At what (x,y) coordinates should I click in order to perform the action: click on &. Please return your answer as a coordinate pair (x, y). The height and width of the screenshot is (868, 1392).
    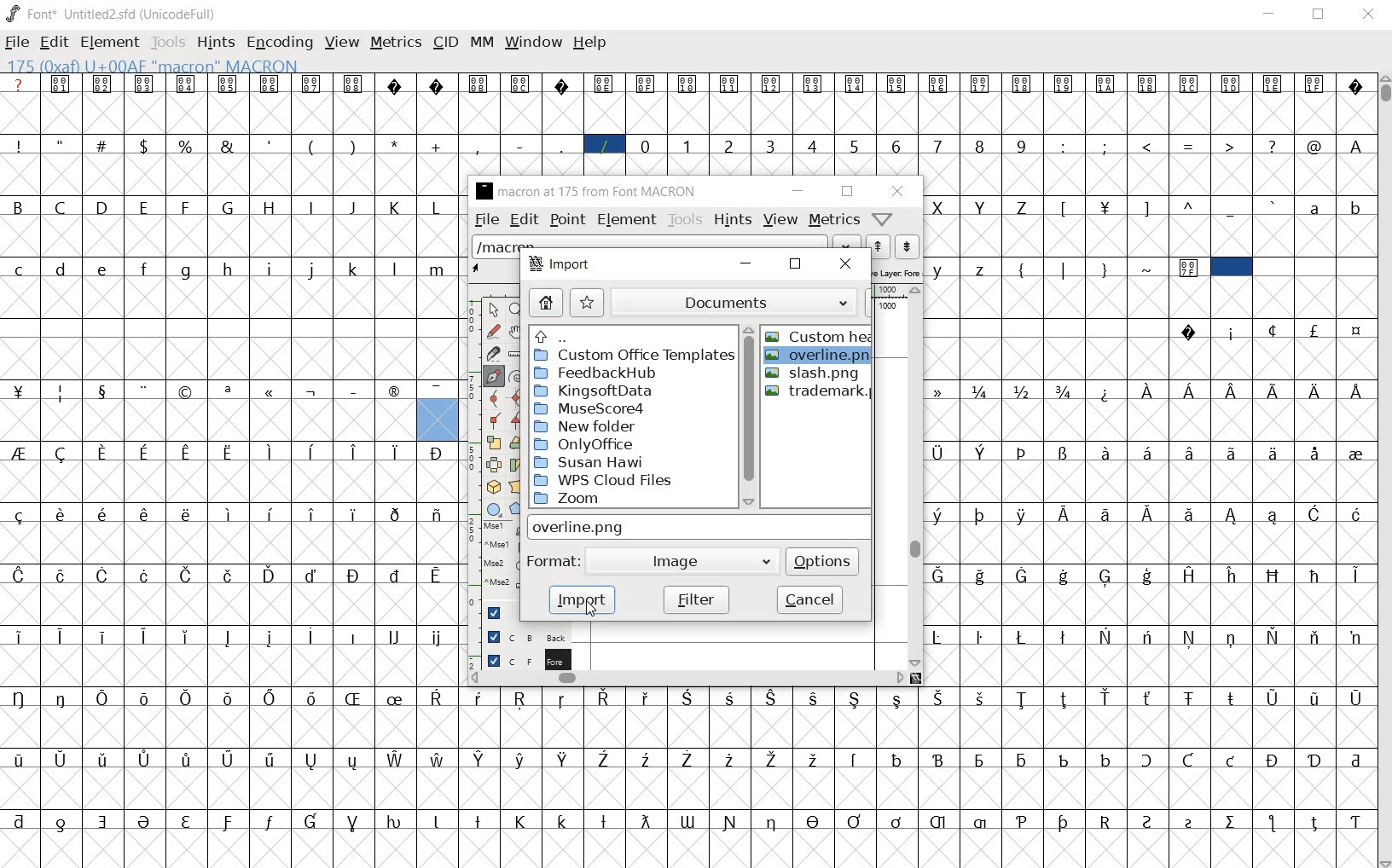
    Looking at the image, I should click on (229, 146).